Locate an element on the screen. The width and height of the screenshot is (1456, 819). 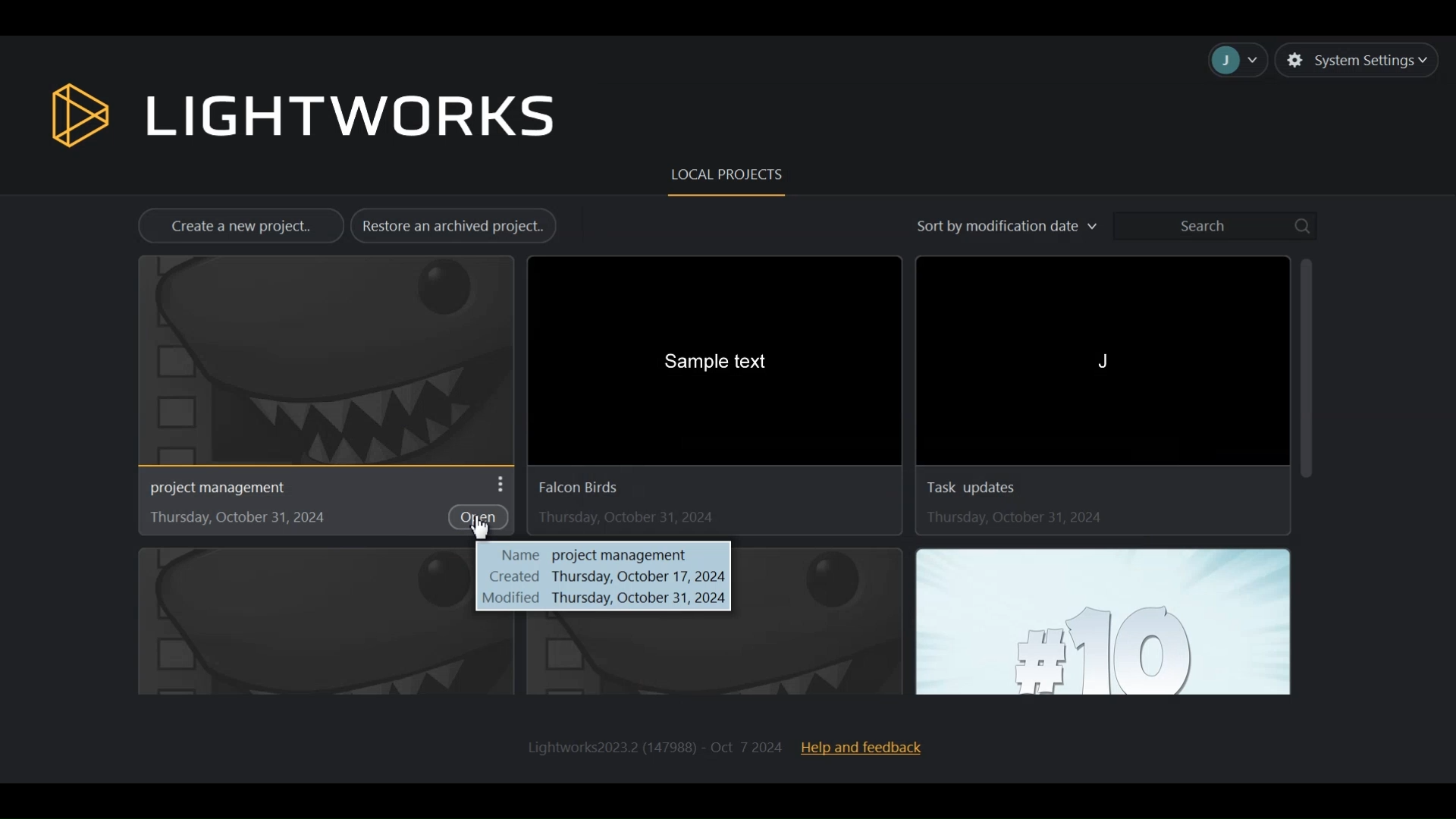
Thursday is located at coordinates (627, 516).